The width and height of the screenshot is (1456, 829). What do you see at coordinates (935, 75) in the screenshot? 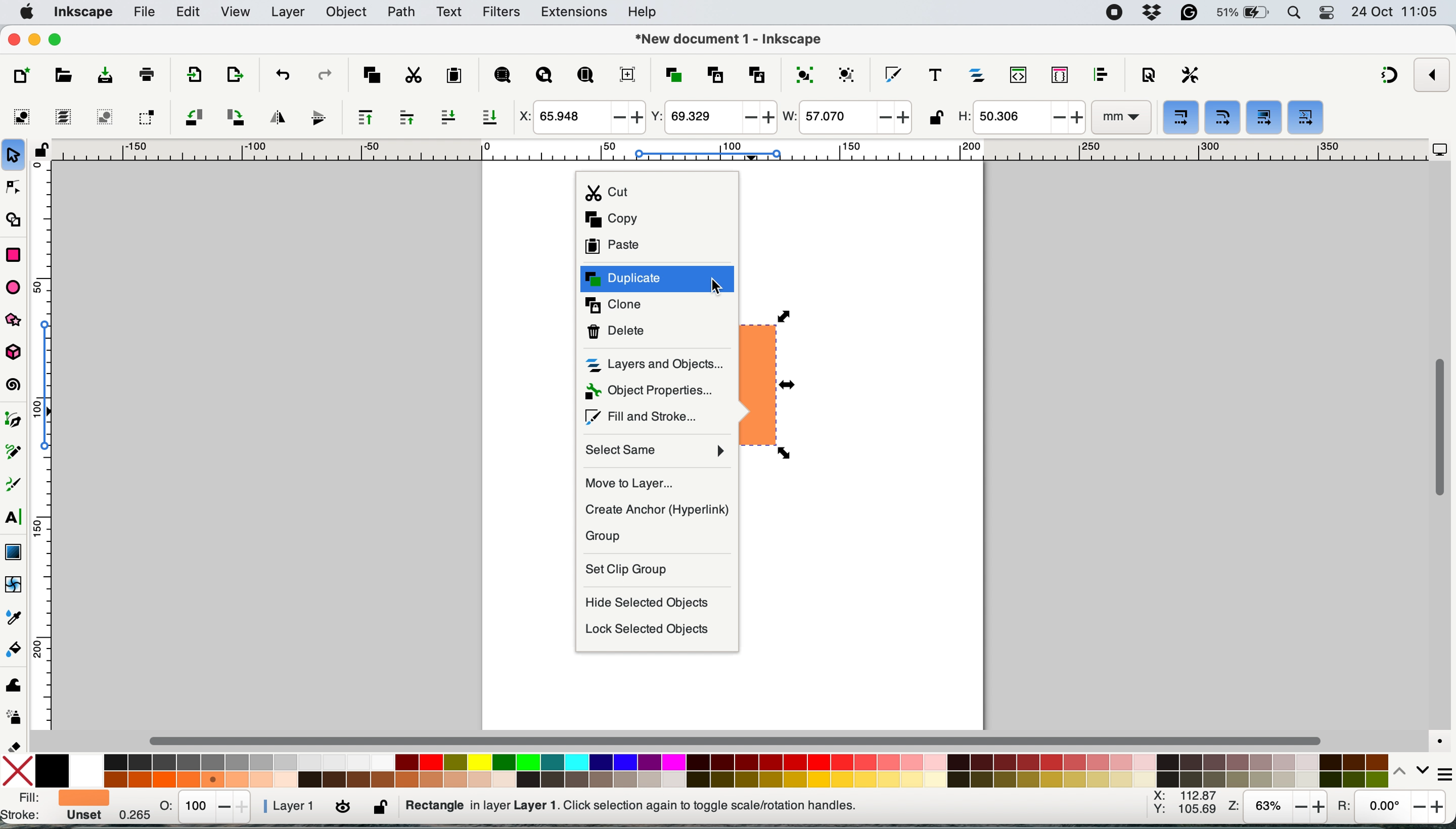
I see `texts and fonts` at bounding box center [935, 75].